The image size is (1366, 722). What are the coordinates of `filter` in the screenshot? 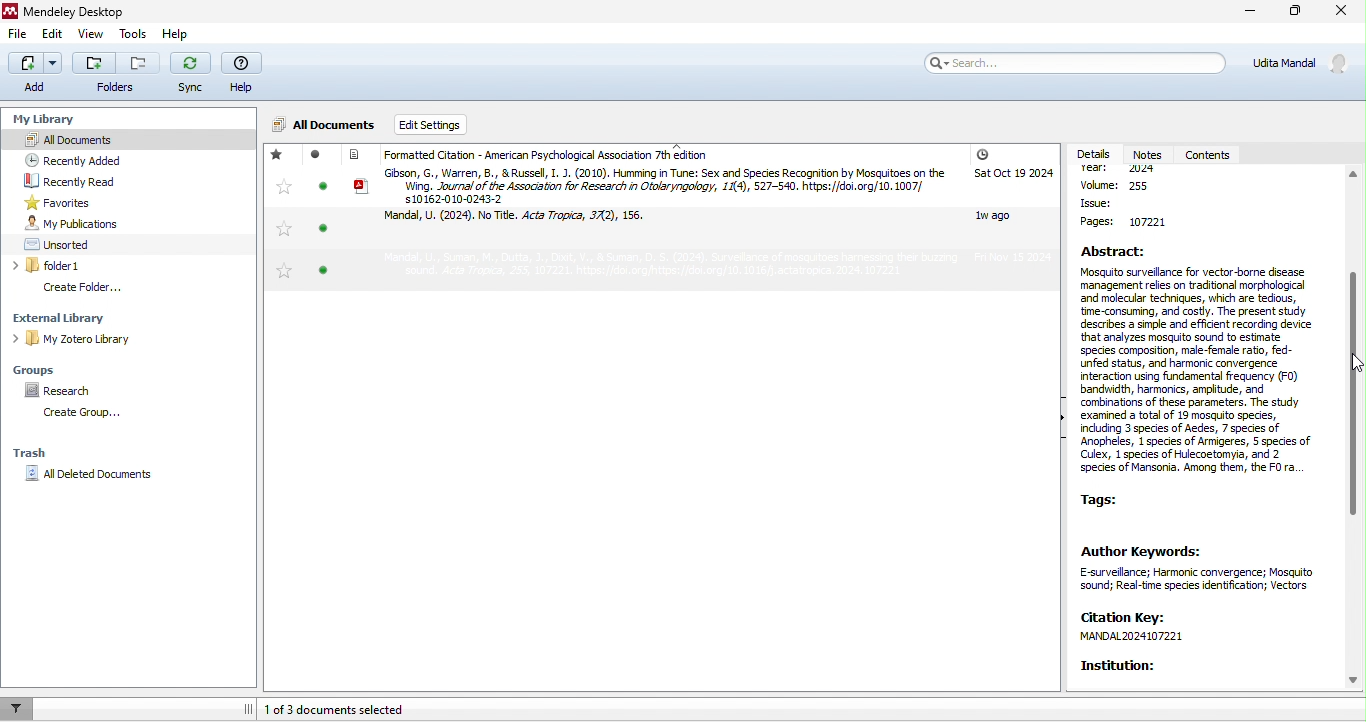 It's located at (18, 708).